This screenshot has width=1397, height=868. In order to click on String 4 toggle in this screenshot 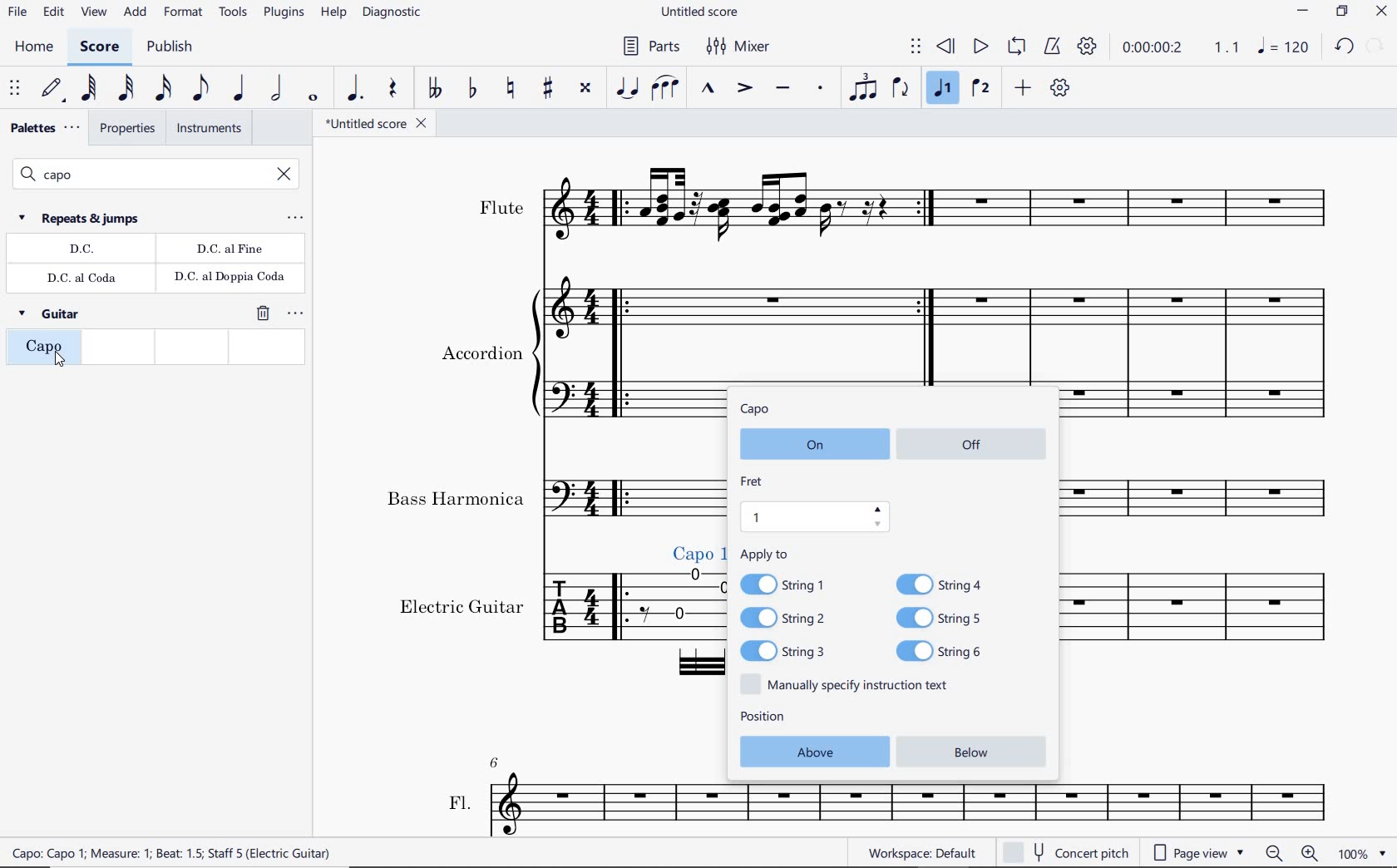, I will do `click(947, 583)`.